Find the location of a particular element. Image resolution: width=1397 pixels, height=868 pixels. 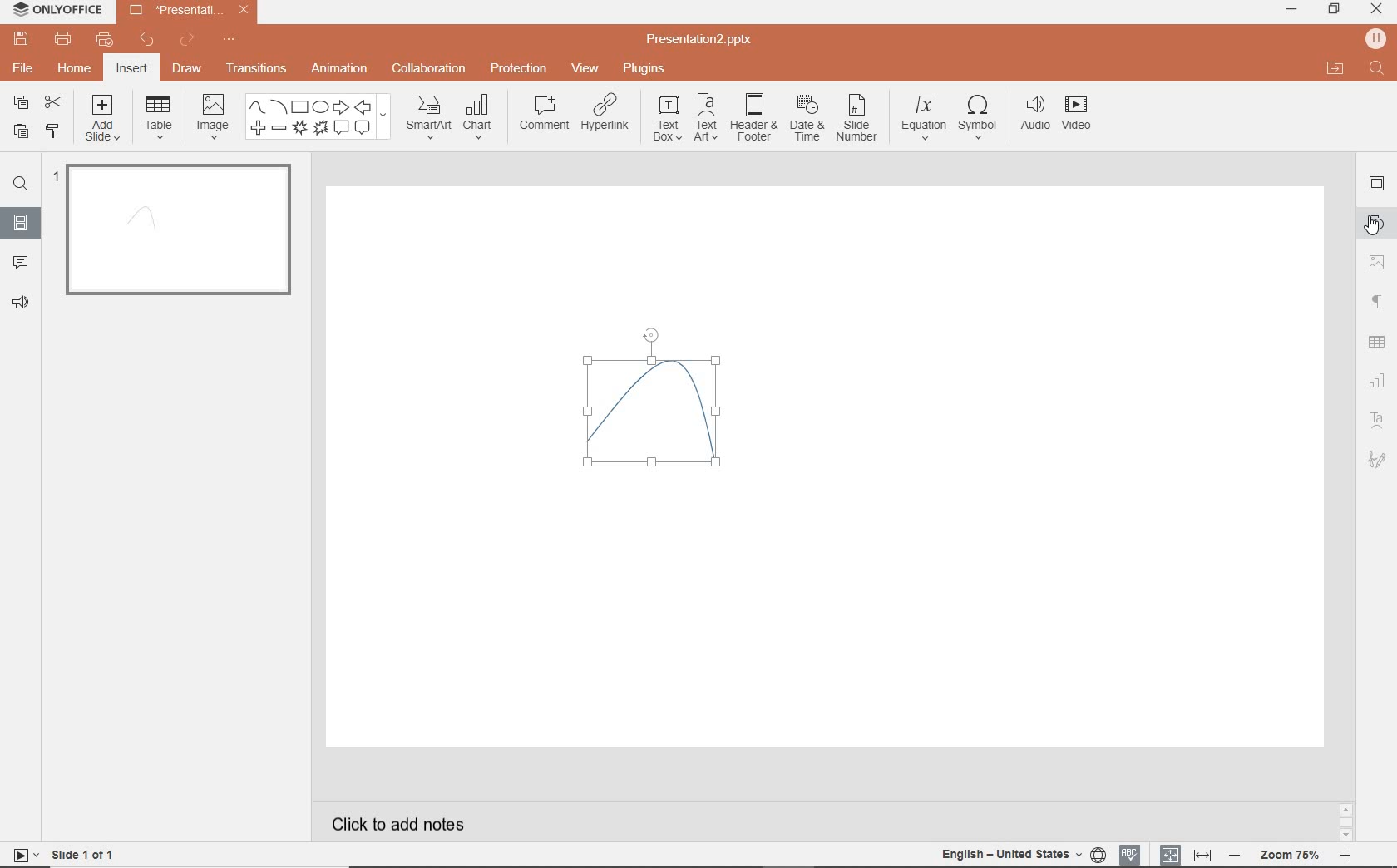

PLUGINS is located at coordinates (644, 69).